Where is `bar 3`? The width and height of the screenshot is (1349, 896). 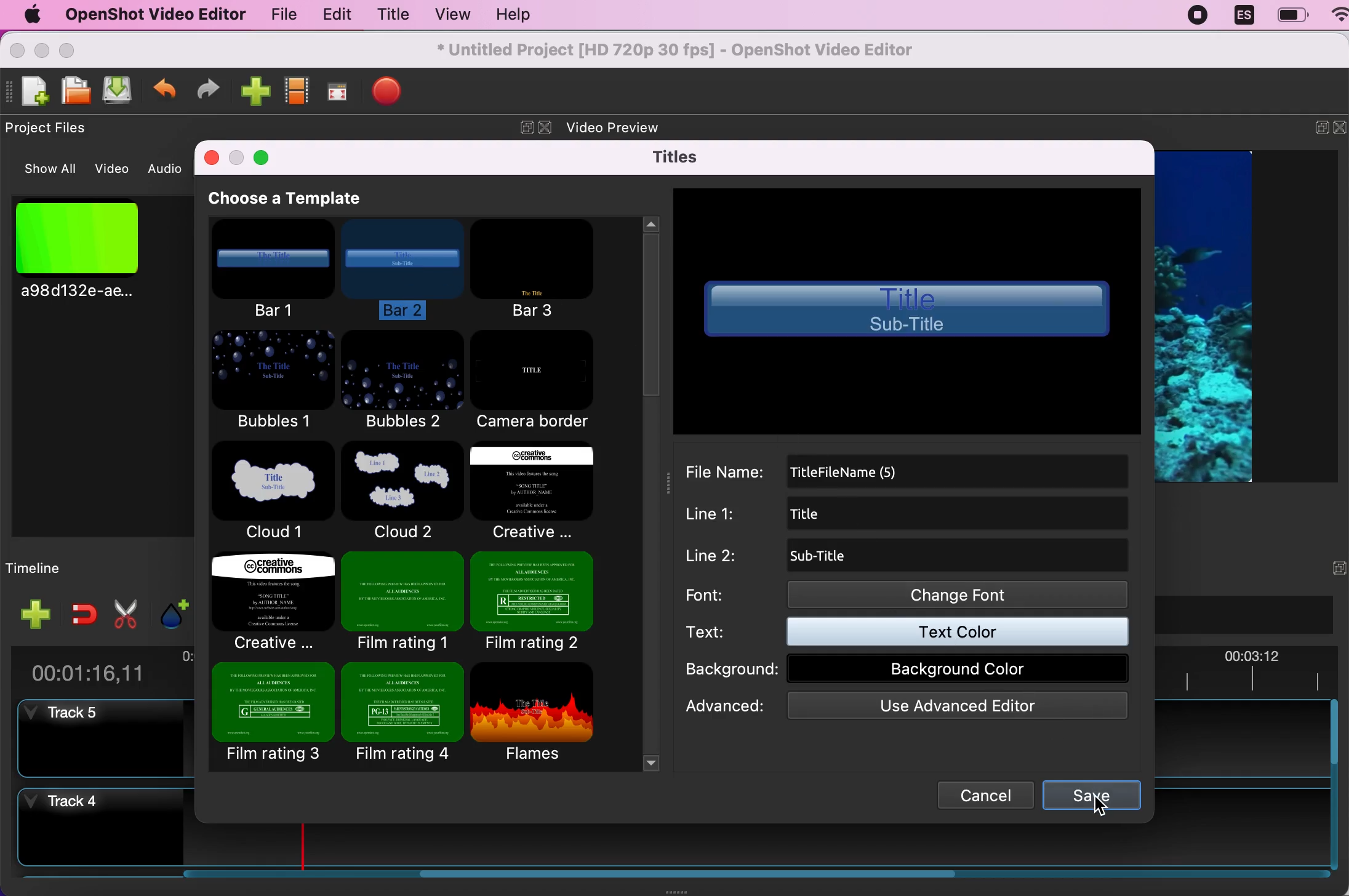 bar 3 is located at coordinates (534, 268).